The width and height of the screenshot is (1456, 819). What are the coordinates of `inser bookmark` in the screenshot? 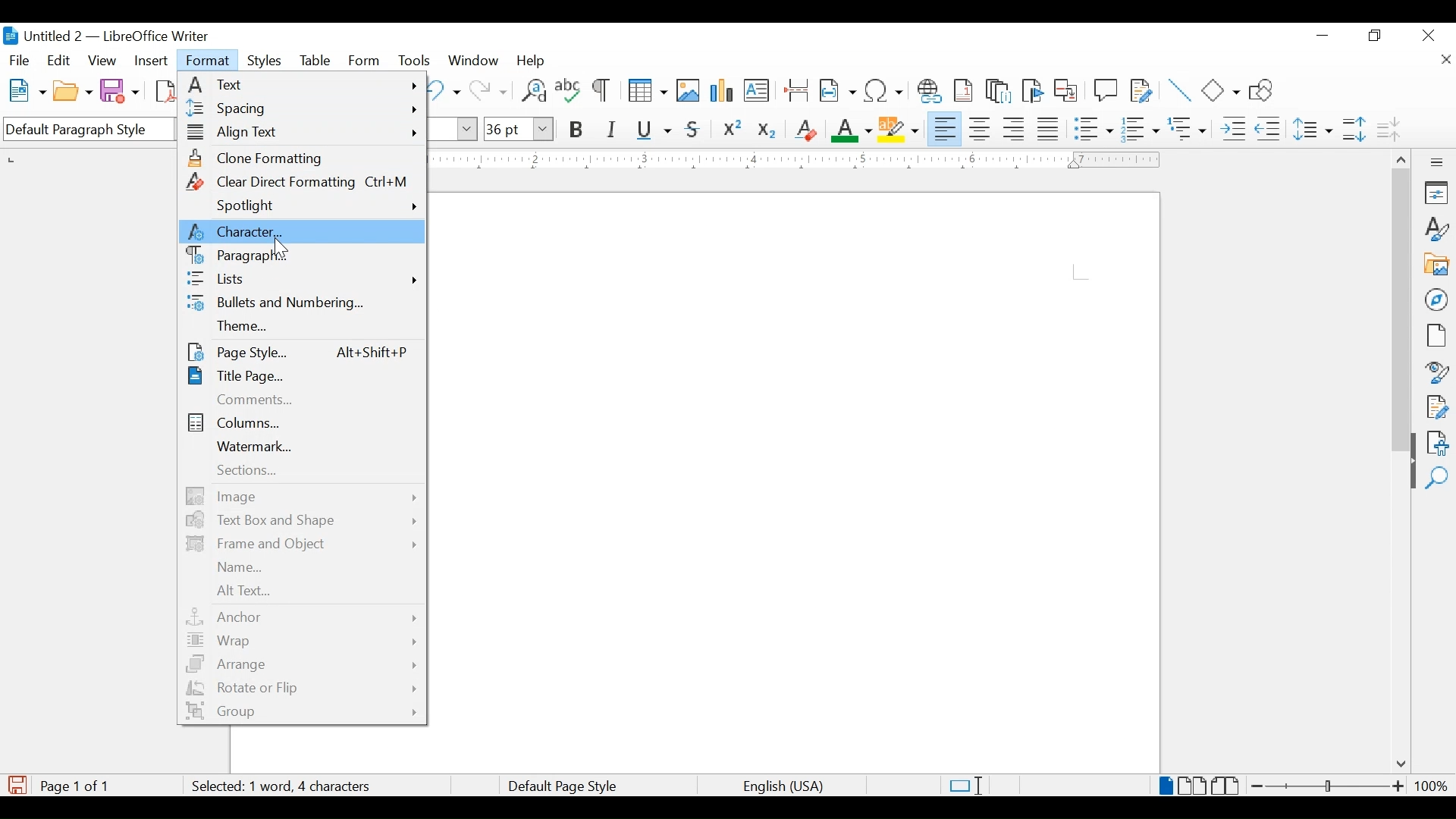 It's located at (1032, 91).